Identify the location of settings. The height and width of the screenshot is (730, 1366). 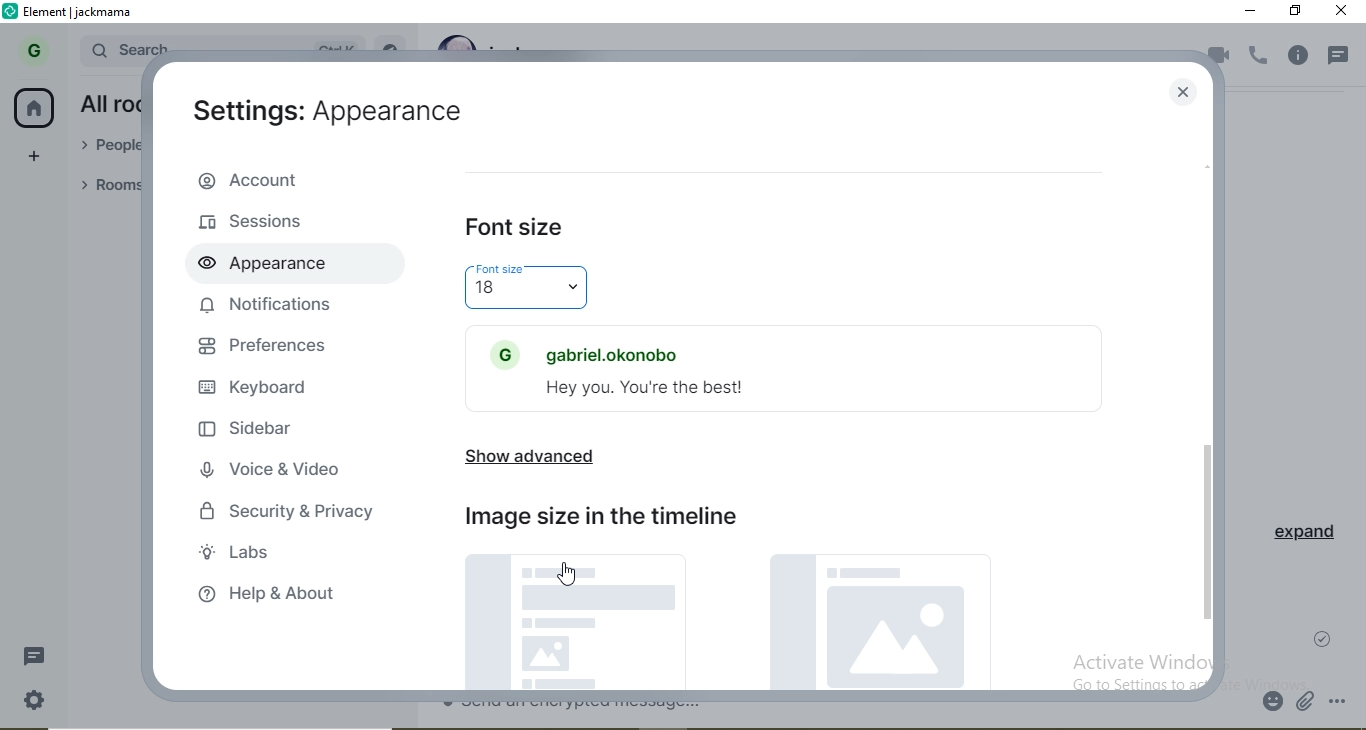
(34, 700).